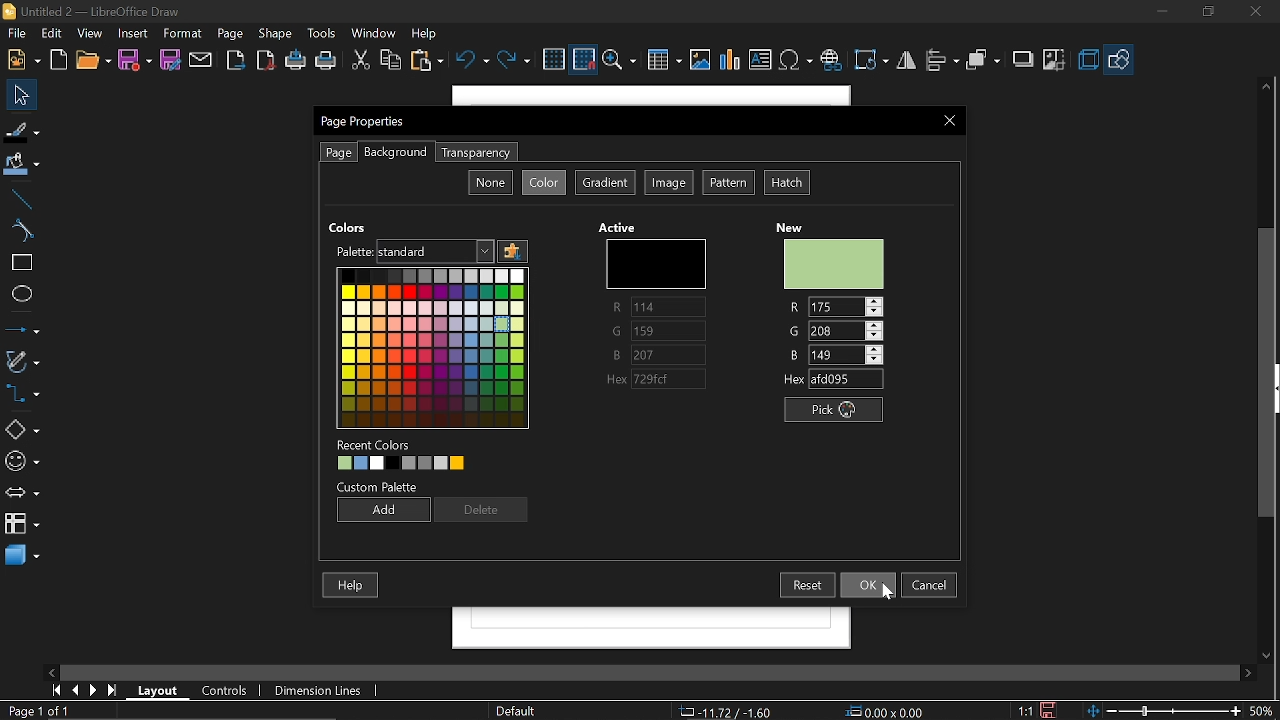  What do you see at coordinates (620, 227) in the screenshot?
I see `Active` at bounding box center [620, 227].